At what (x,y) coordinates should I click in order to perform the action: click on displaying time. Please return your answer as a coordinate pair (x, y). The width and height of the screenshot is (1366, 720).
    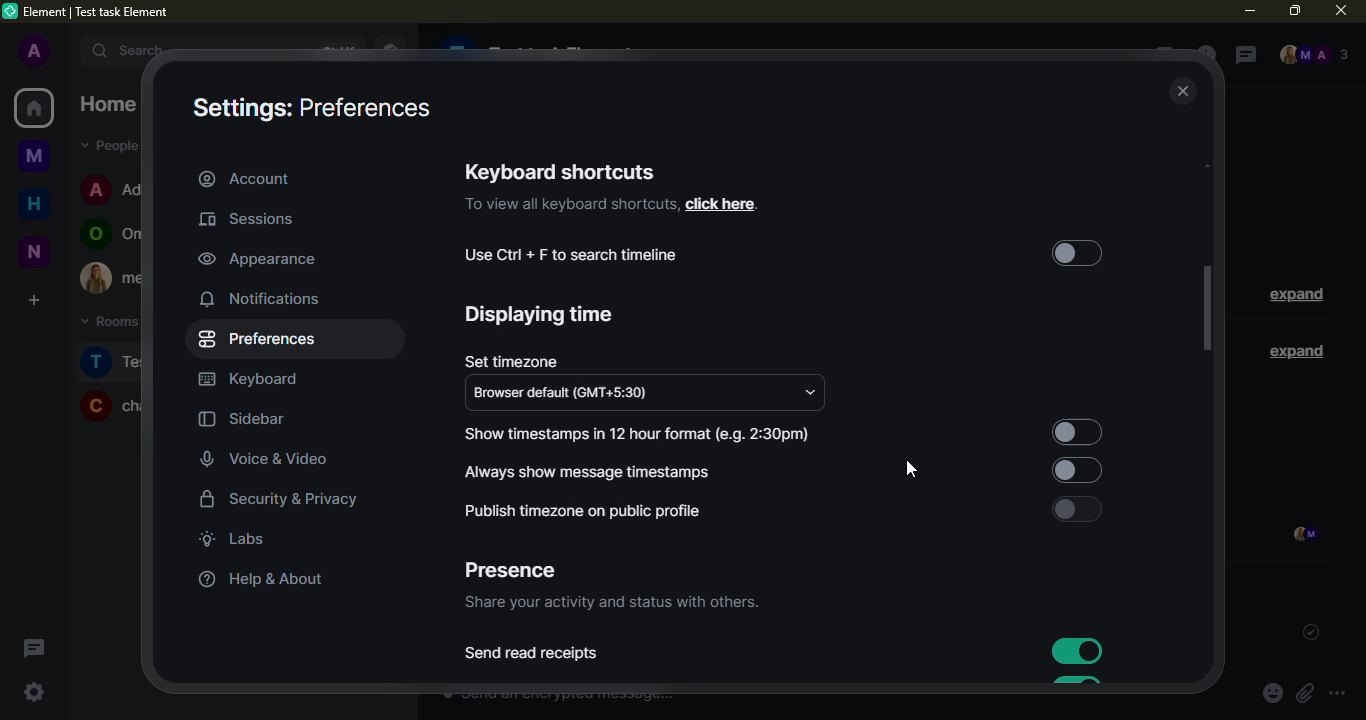
    Looking at the image, I should click on (541, 315).